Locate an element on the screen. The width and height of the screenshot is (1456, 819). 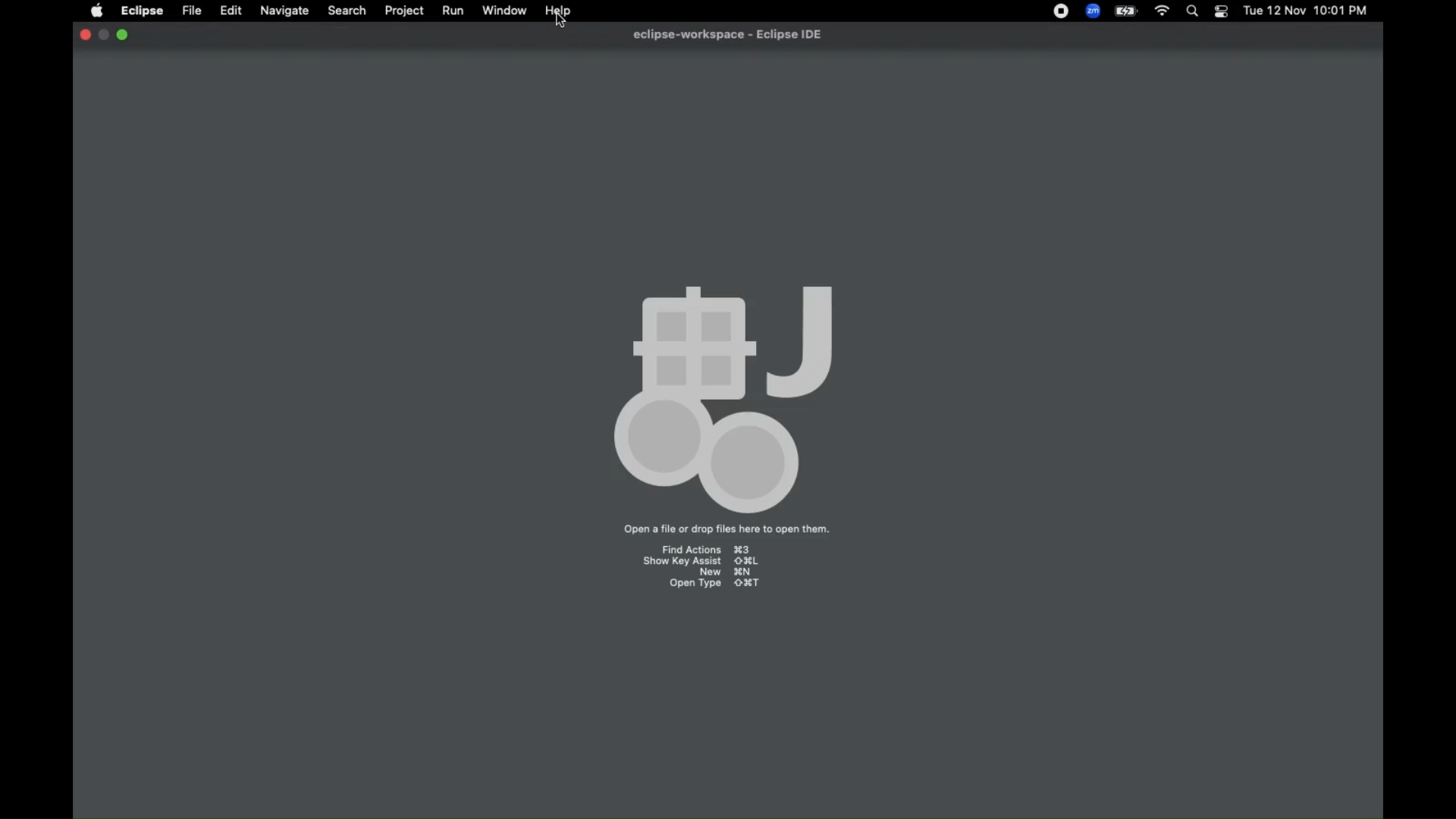
Minimize is located at coordinates (124, 35).